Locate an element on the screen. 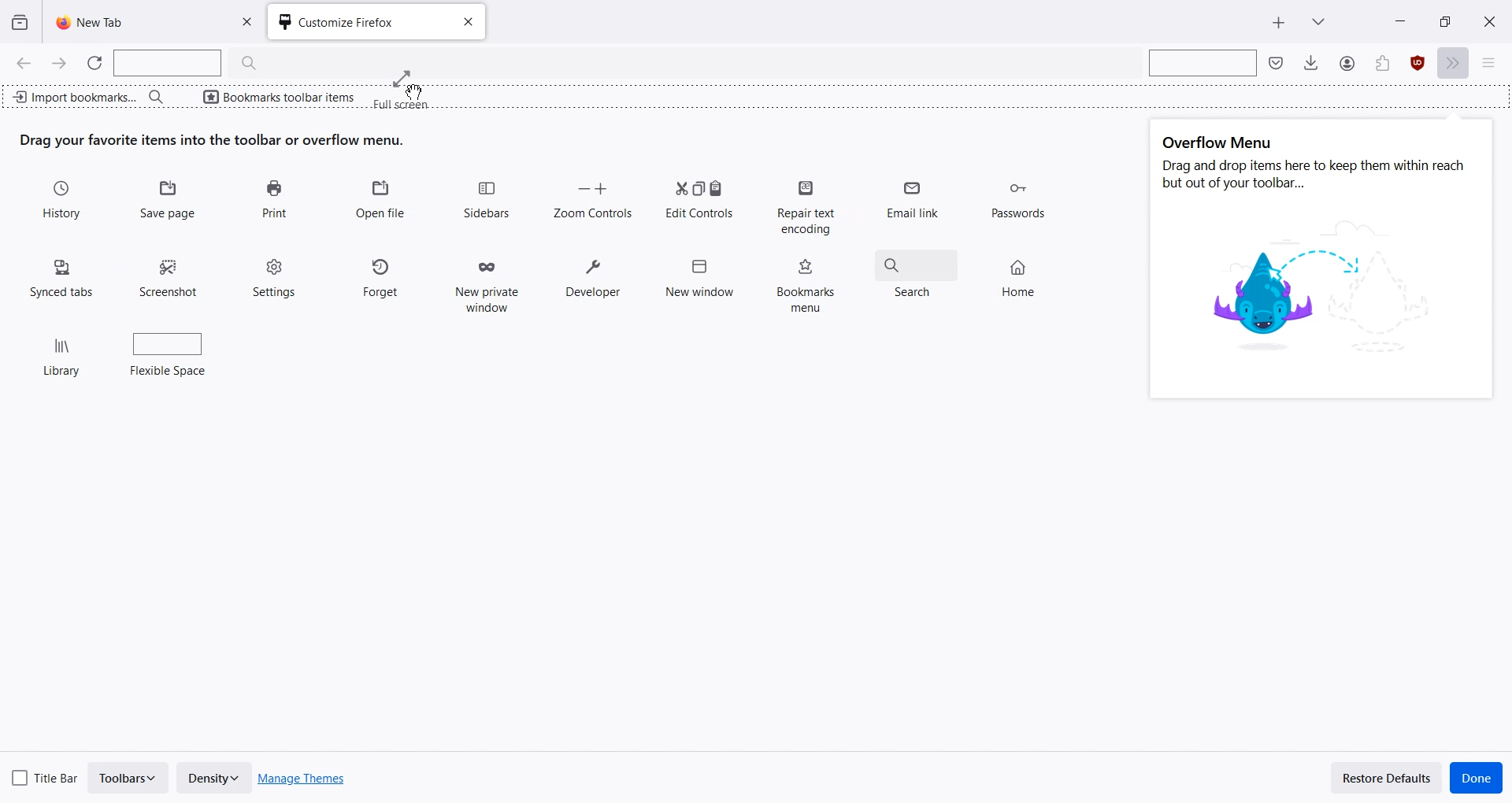  Manage Themes is located at coordinates (302, 779).